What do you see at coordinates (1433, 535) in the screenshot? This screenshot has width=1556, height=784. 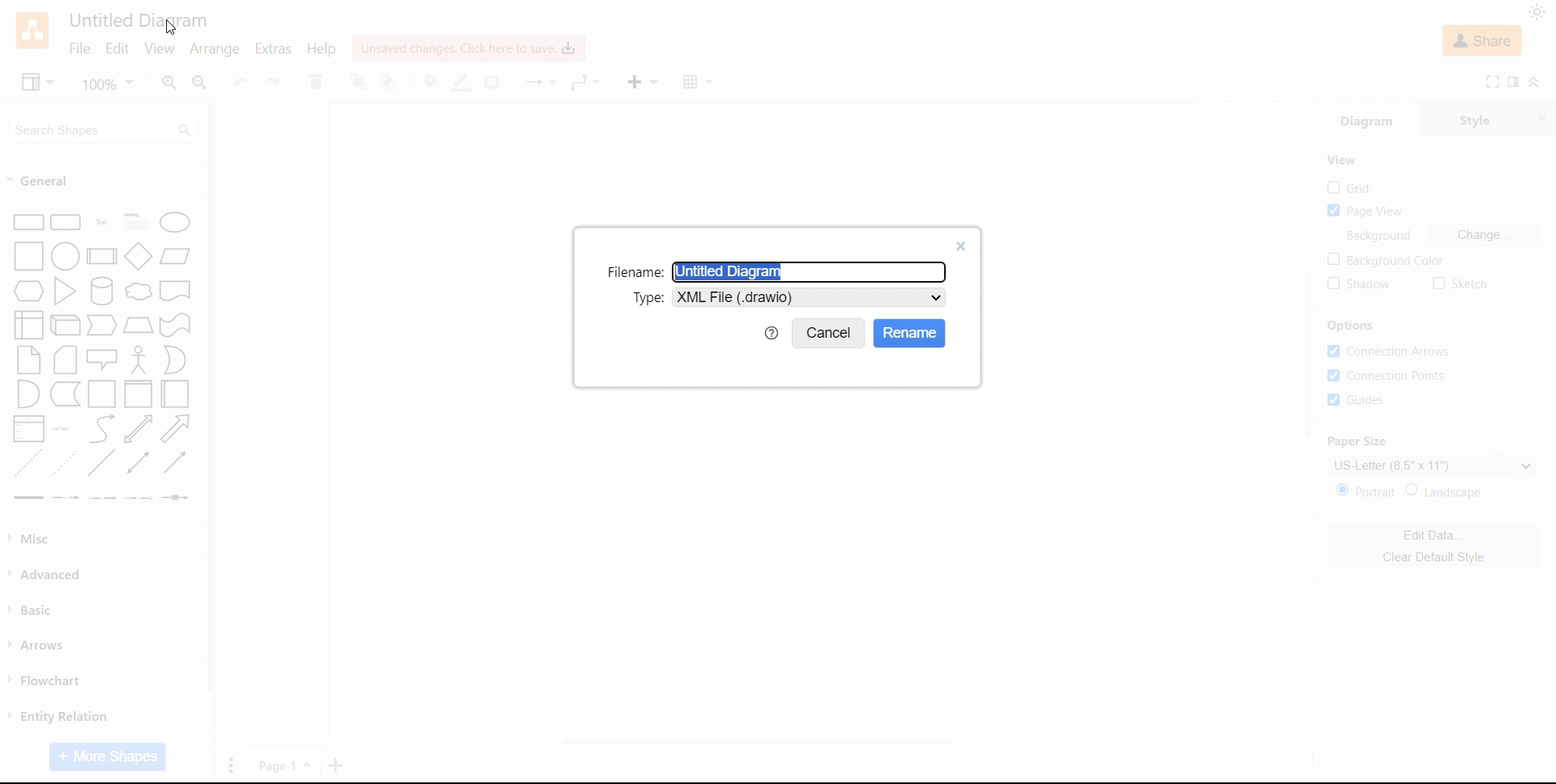 I see `Edit data ` at bounding box center [1433, 535].